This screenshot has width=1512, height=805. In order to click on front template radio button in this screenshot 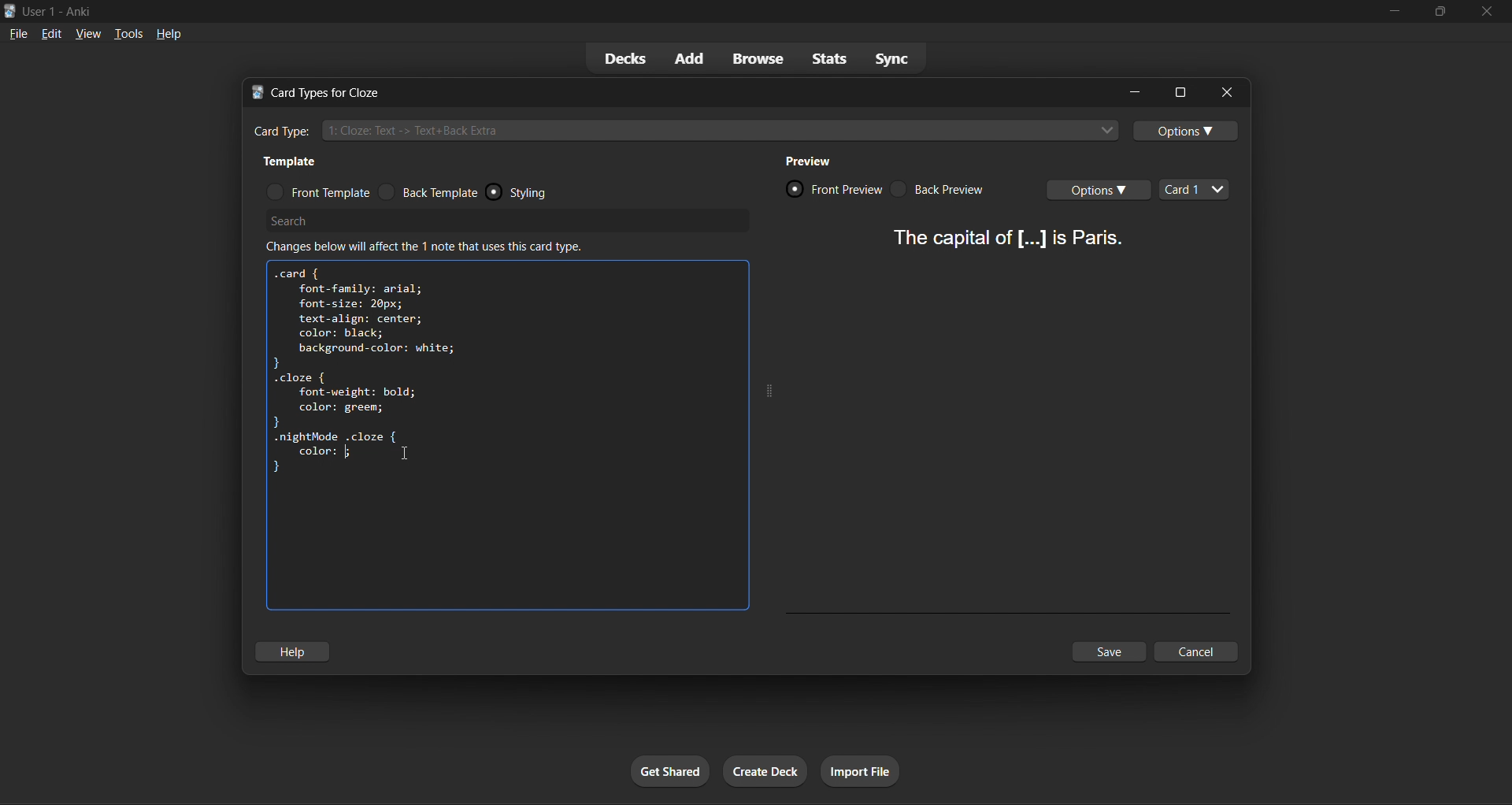, I will do `click(317, 191)`.